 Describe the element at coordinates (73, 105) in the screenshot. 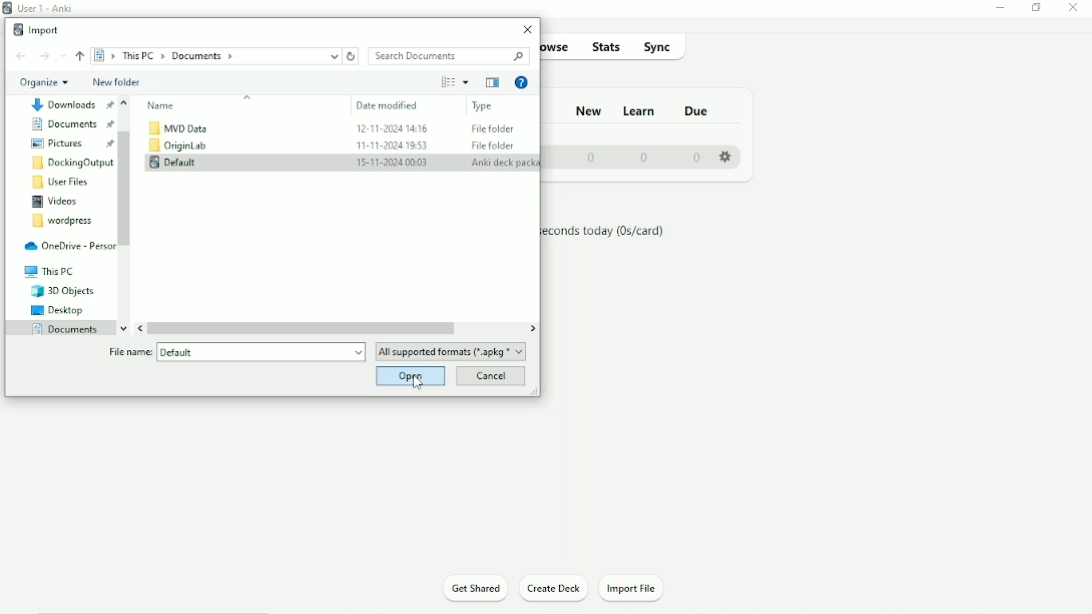

I see `Document` at that location.